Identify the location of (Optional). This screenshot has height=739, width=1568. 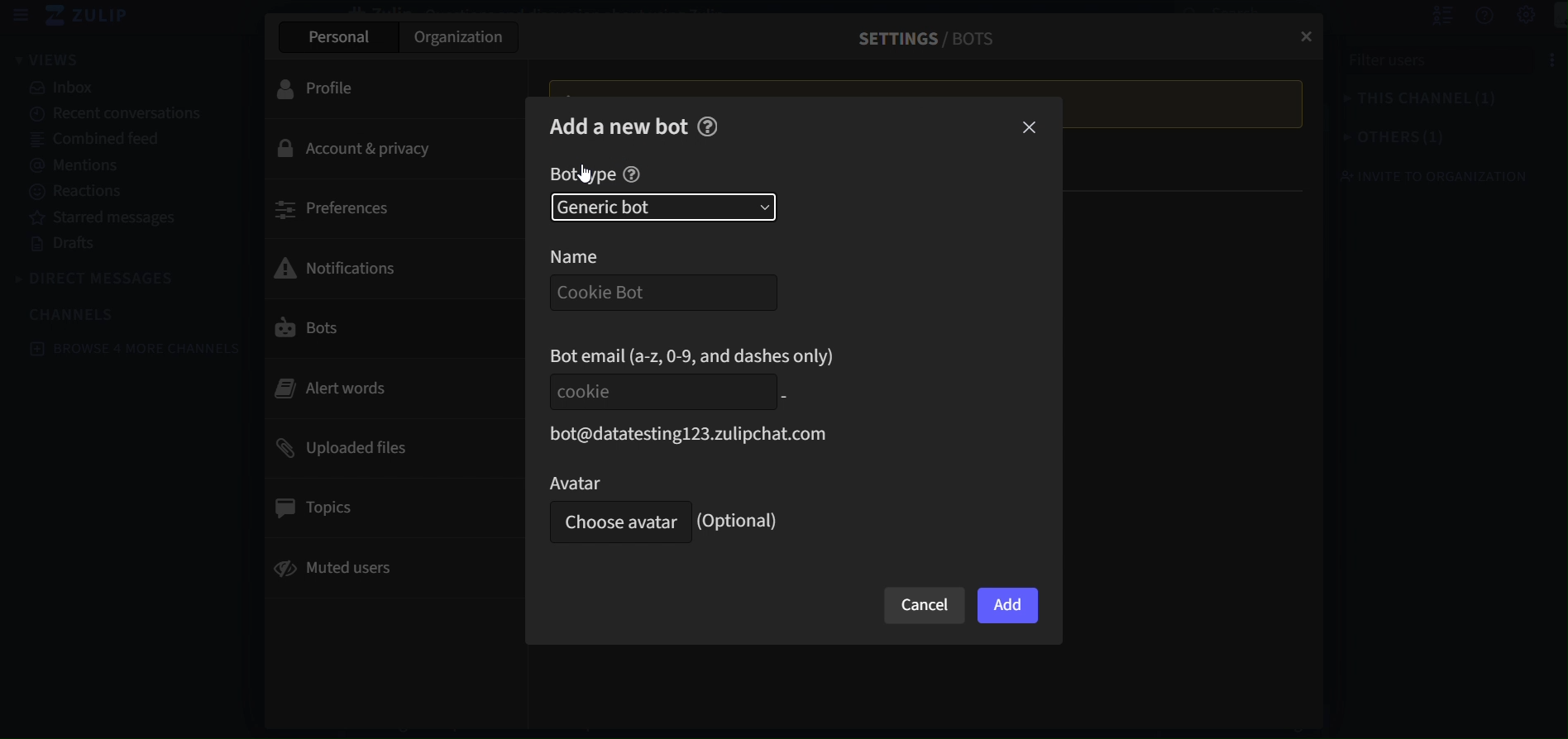
(742, 521).